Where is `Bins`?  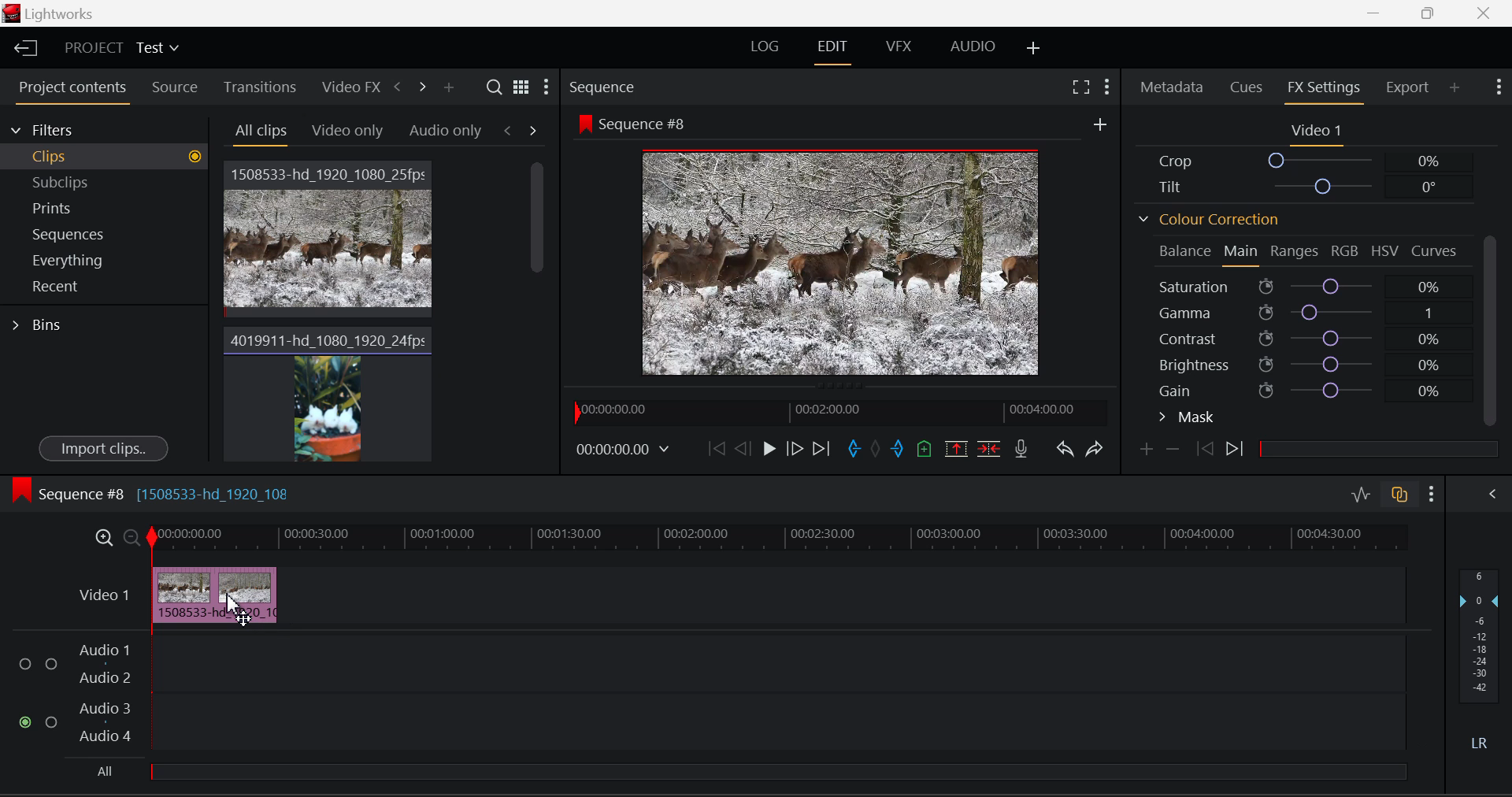 Bins is located at coordinates (102, 325).